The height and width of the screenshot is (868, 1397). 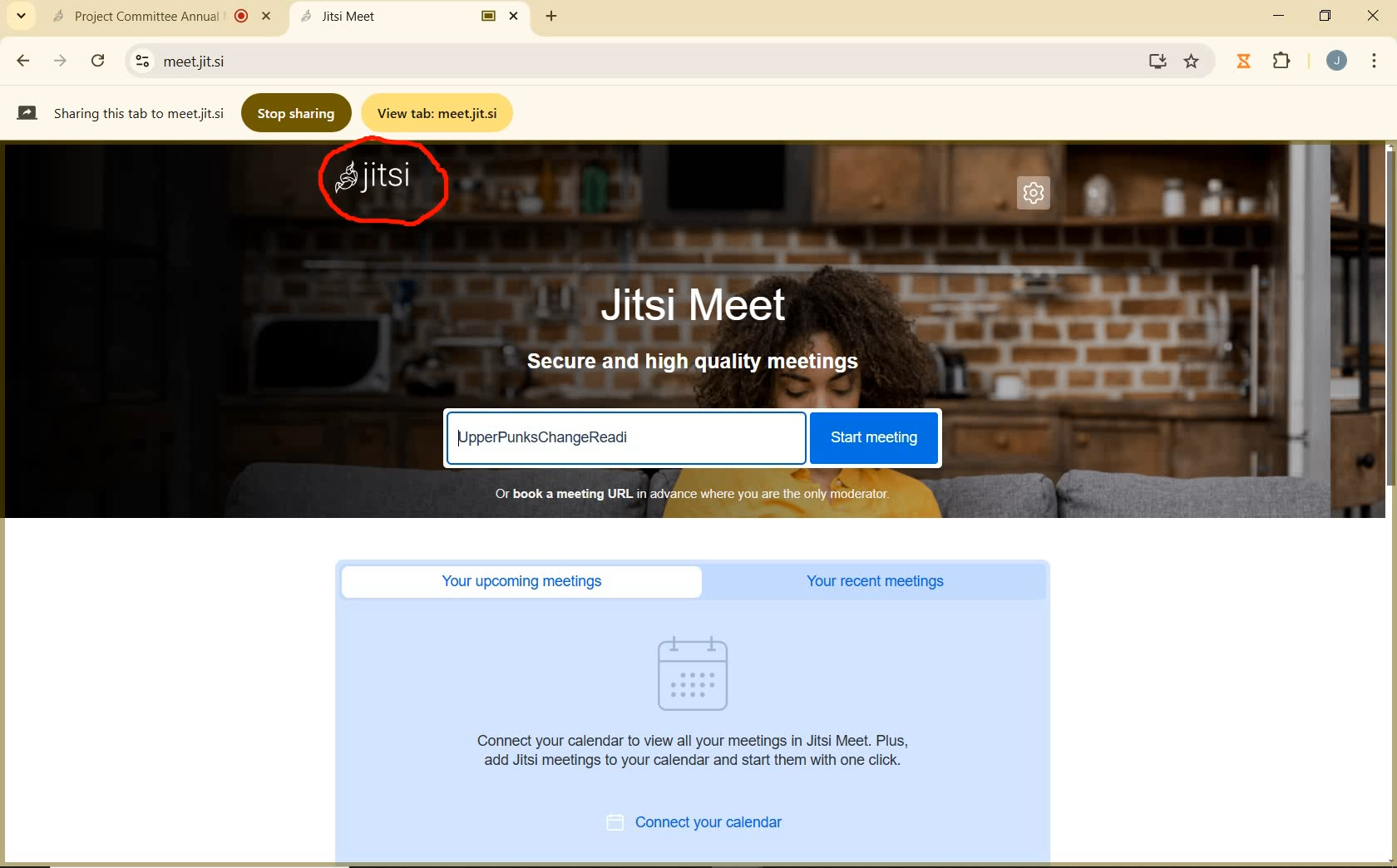 I want to click on EXTENSION, so click(x=1267, y=62).